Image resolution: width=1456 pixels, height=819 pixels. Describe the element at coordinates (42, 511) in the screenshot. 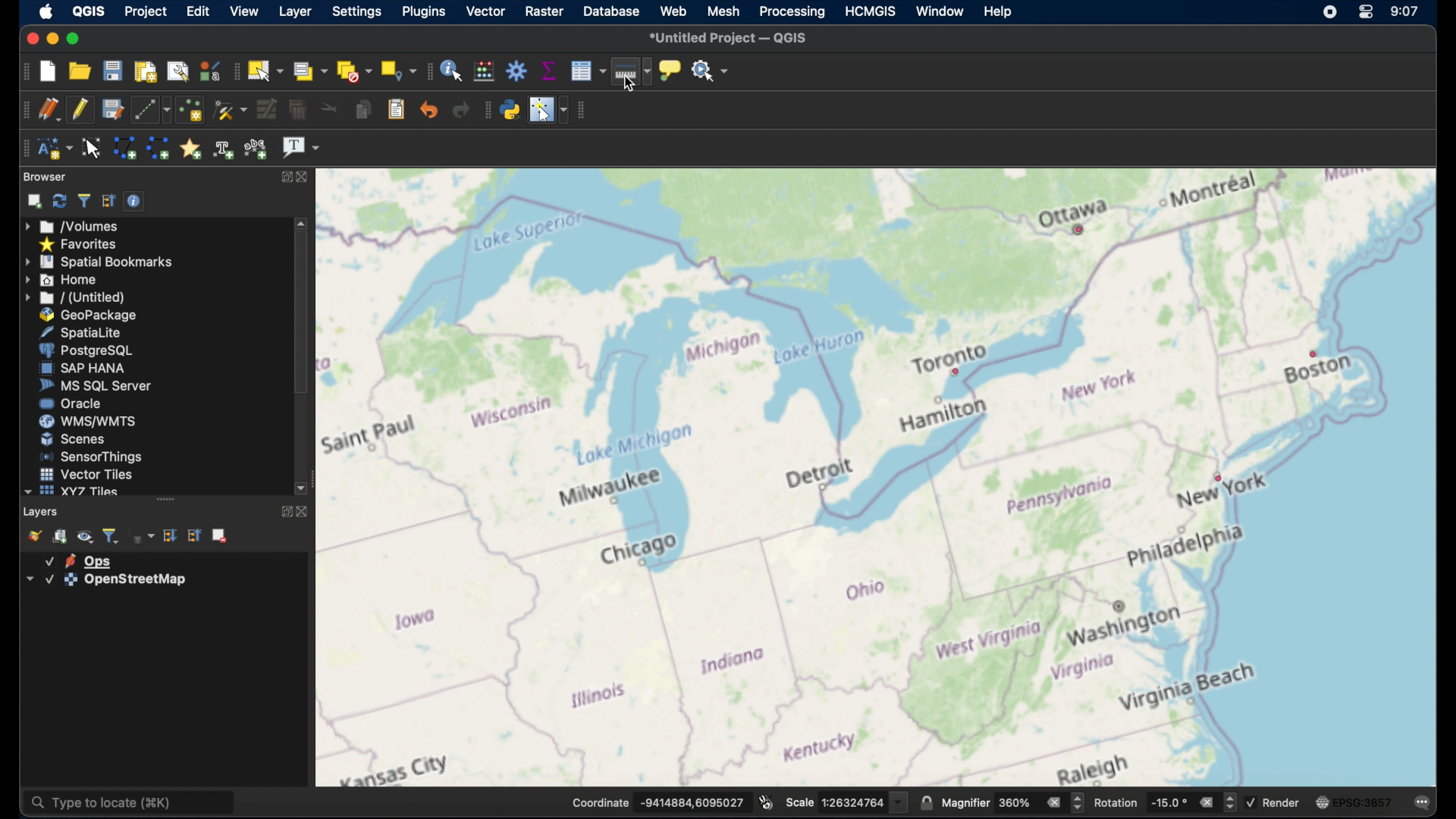

I see `layers` at that location.